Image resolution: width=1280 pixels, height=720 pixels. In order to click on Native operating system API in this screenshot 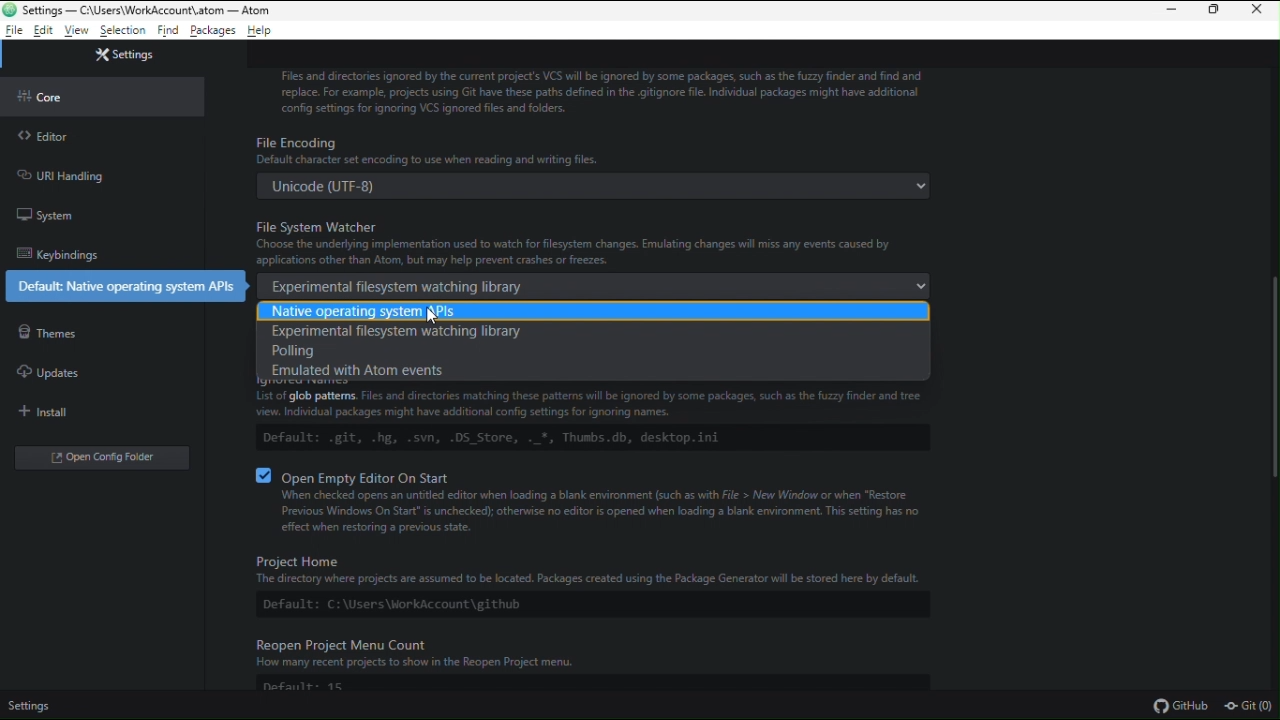, I will do `click(594, 311)`.